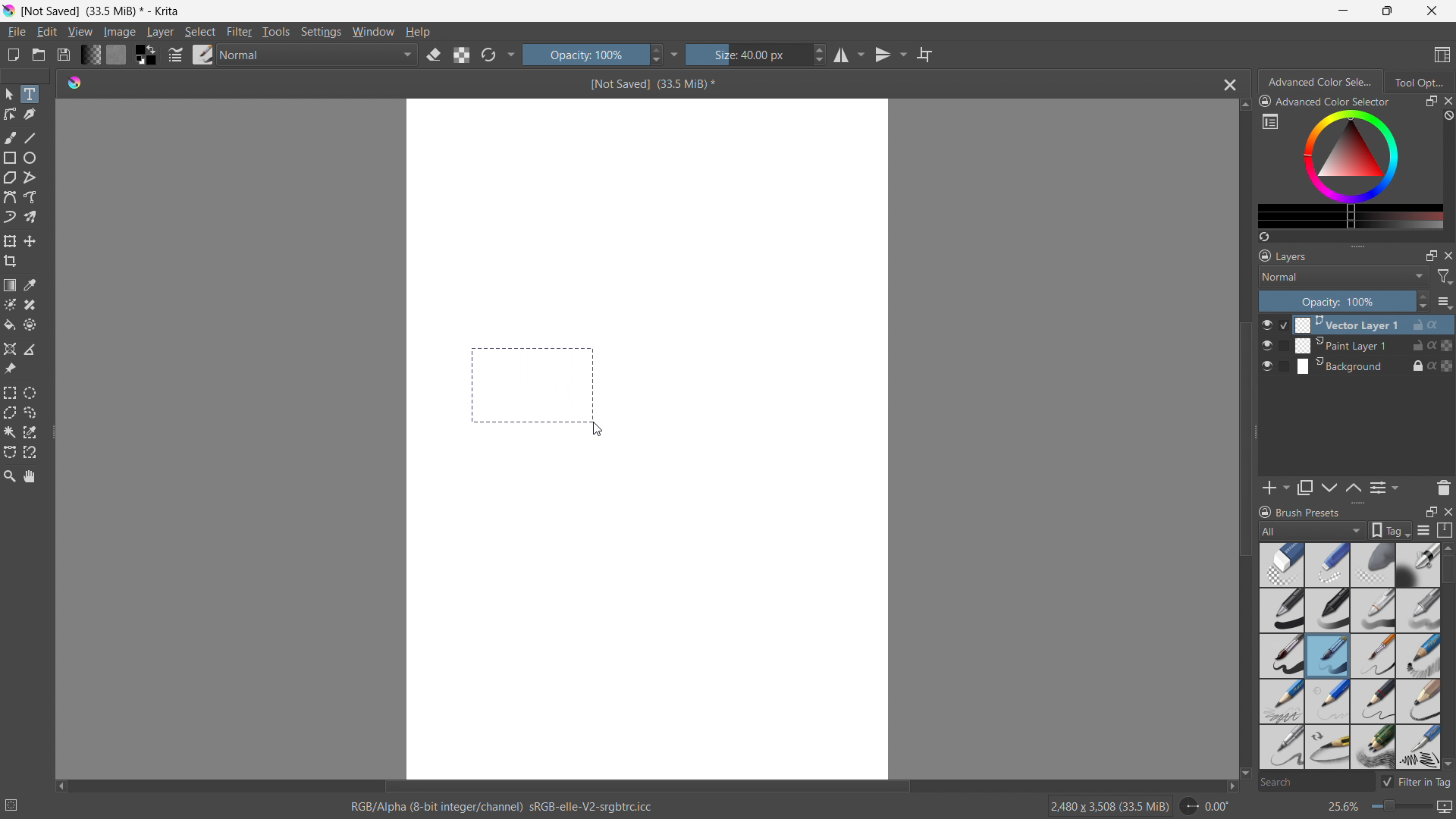 Image resolution: width=1456 pixels, height=819 pixels. I want to click on close document, so click(1226, 85).